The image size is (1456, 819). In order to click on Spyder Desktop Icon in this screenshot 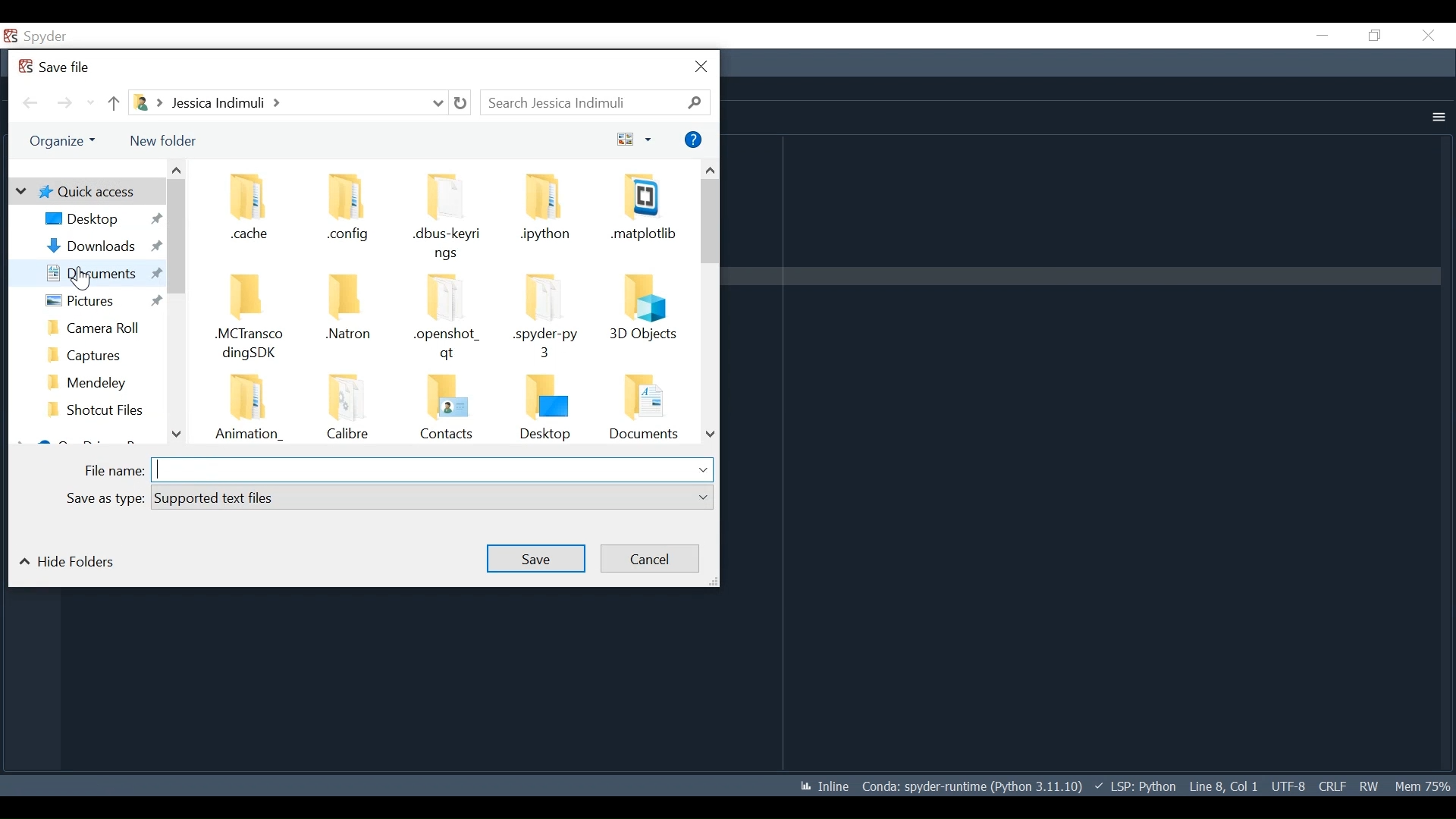, I will do `click(9, 36)`.